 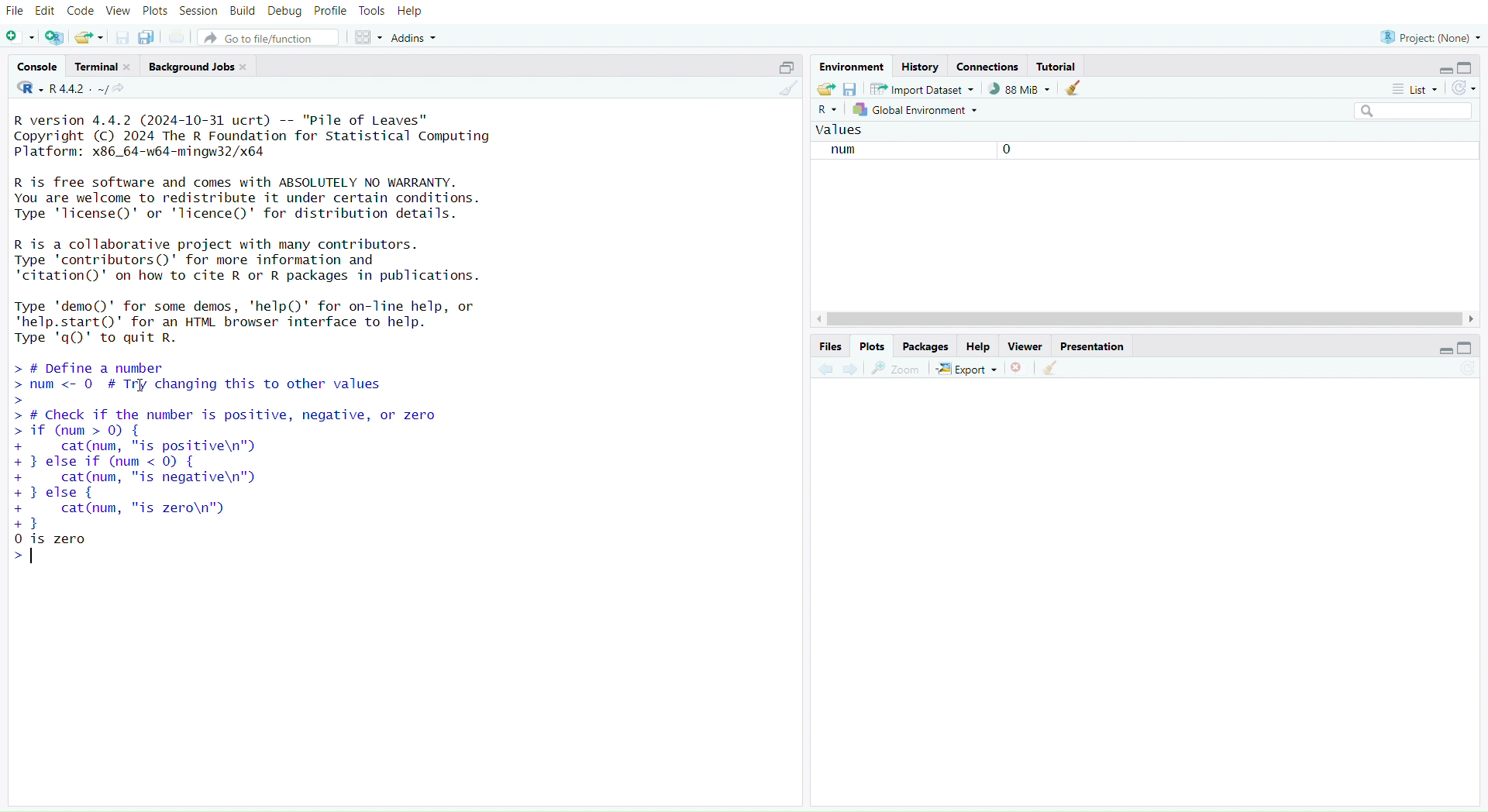 I want to click on plots, so click(x=155, y=11).